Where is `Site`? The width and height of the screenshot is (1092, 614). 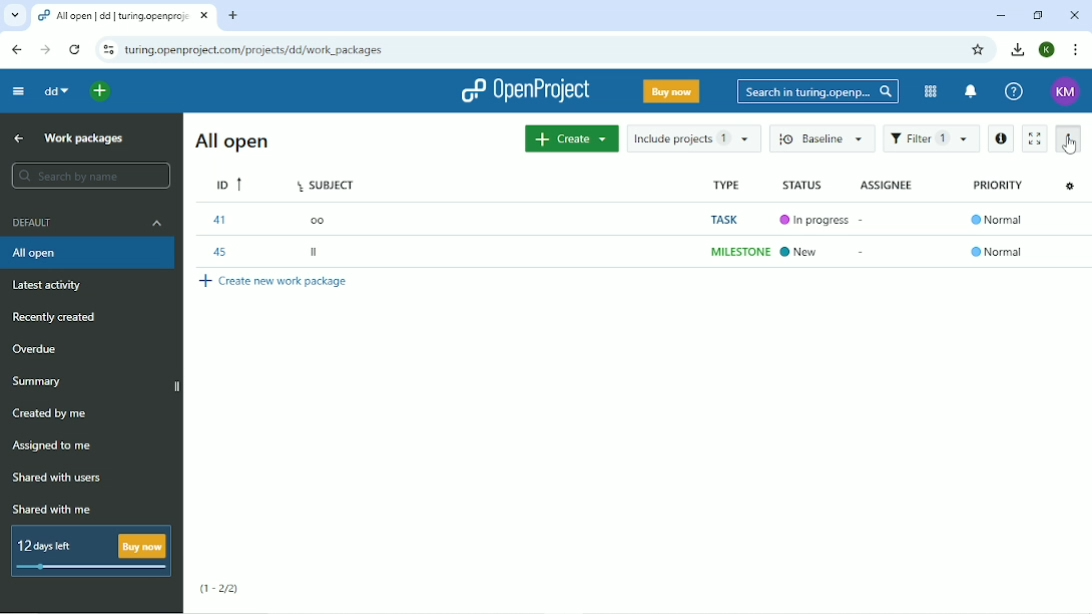 Site is located at coordinates (255, 49).